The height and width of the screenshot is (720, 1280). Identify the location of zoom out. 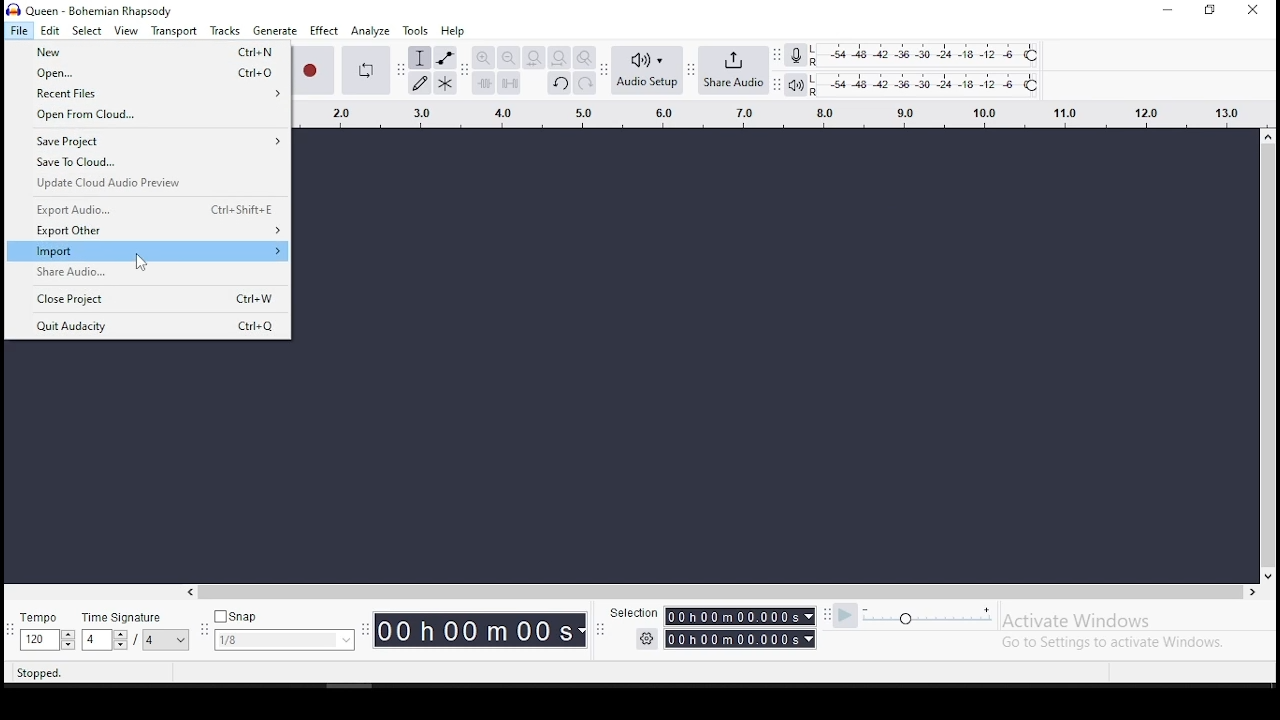
(508, 58).